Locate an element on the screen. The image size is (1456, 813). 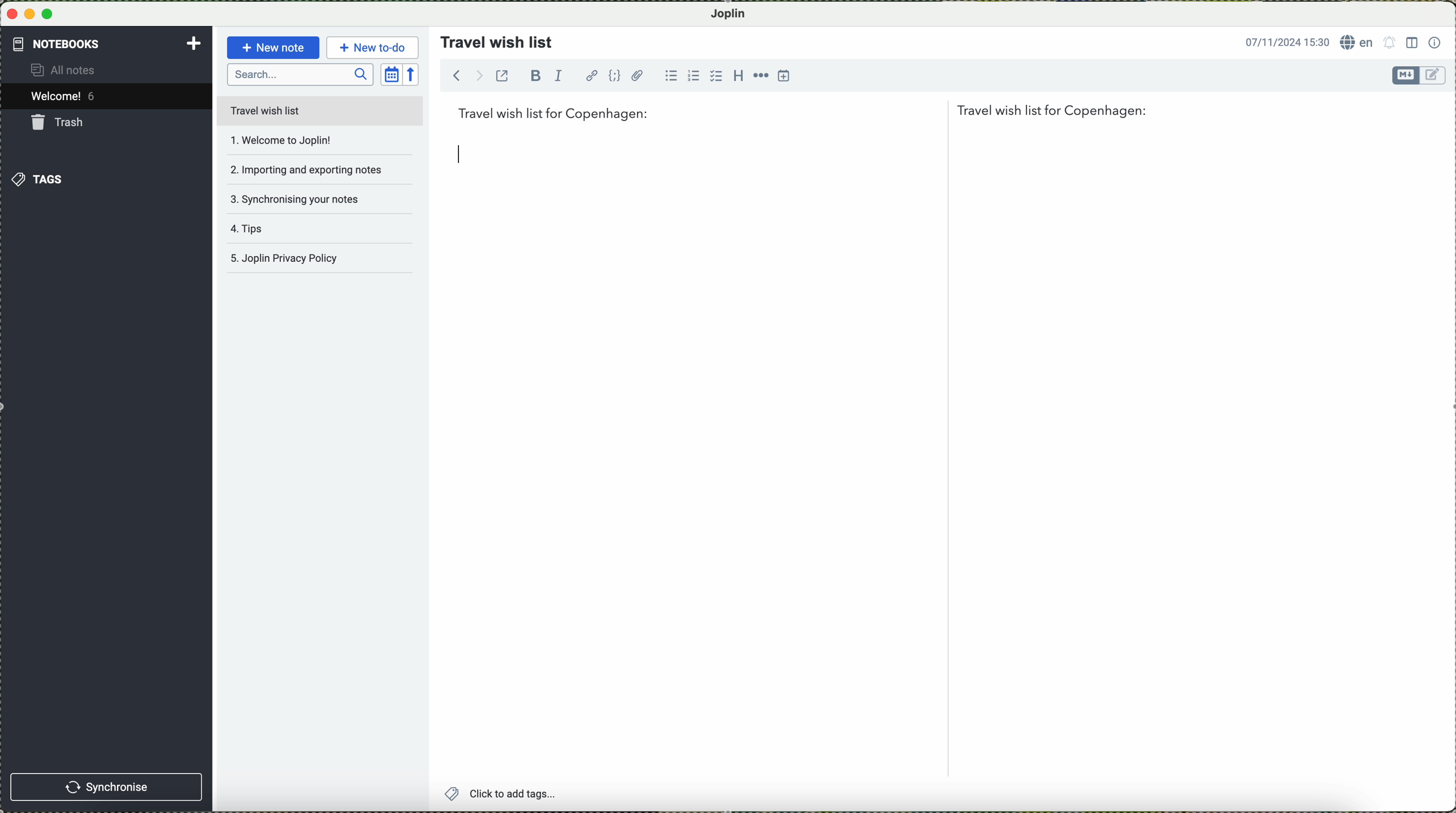
toggle editor layout is located at coordinates (1411, 43).